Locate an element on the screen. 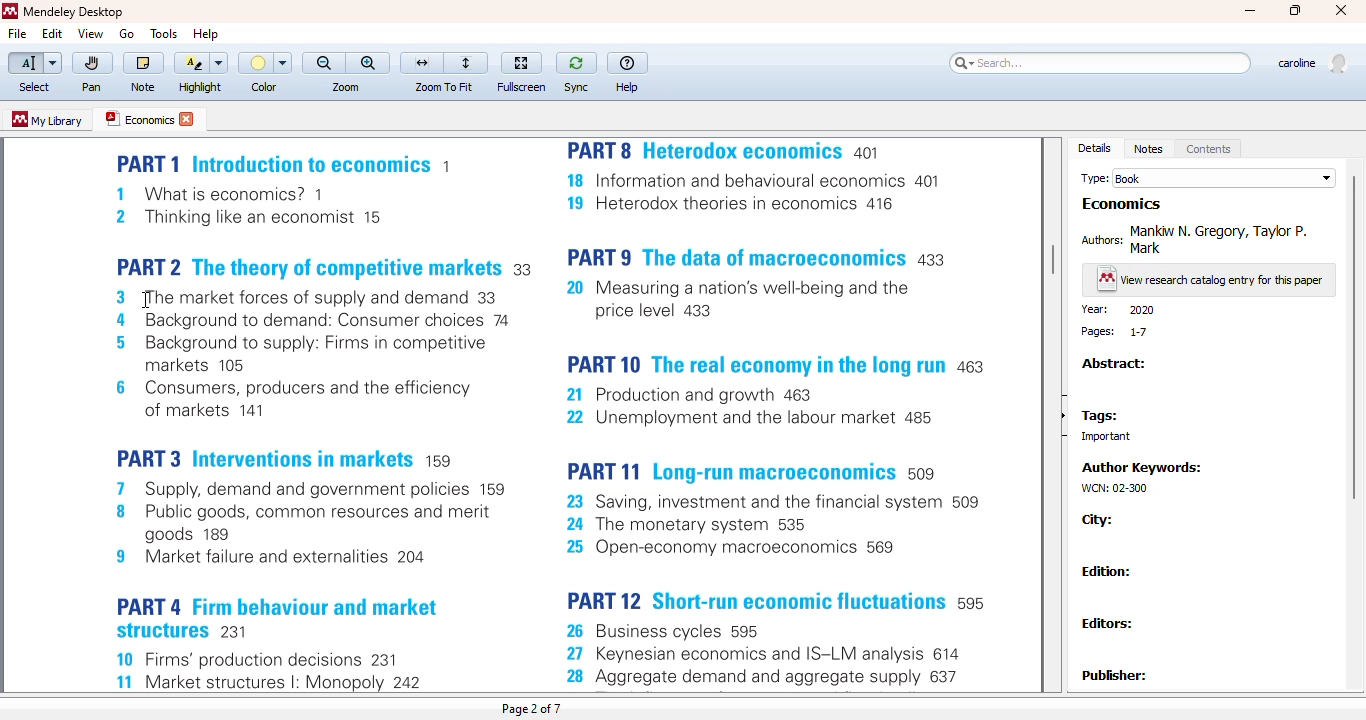 The image size is (1366, 720). . 4 PART 8 Heterodox economics 401
PART 1 Introduction to economics 1
1 What 24 18 Information and behavioural economics 401
EL 18 QESNOMICS! 19 Heterodox theories in economics 416

2 Thinking like an economist 15
PART 2 The theory of competitive markets 33 PART 9 The data of macroeconomics 433
3 The market forces of supply and demand 33 Ld Measuring : nation's well-being and the
4 ‘Background to demand: Consumer choices 74 price level 433
5 Background to supply: Firms in competitive

markets 105 PART 10 The real economy in the long run 263
6 Consumers, producers and the efficiency 21 Production and growth 463

of markets 141 22 Unemployment and the labour market 485
PART 3 Interventions in markets 159 .

PART 11 Long-run macroeconomics 509

7 Supply, demand and government policies 159 2s " d the fi ! 500
8 Public goods, common resources and merit aving, investment and the financial system

goods 189 24 The monetary system 535
9 Market failure and externalities 204 25 Open-economy macroeconomics 569
PART 4 Firm behaviour and market PART 12 Short-run economic fluctuations s95
structures 231 26 Business cycles 595
10 Firms’ production decisions 231 21 Keynesian economics and IS-LM analysis 614
11 Market structures |: Monopoly 242 28 Aggregate demand and aggregate supply 637 is located at coordinates (553, 416).